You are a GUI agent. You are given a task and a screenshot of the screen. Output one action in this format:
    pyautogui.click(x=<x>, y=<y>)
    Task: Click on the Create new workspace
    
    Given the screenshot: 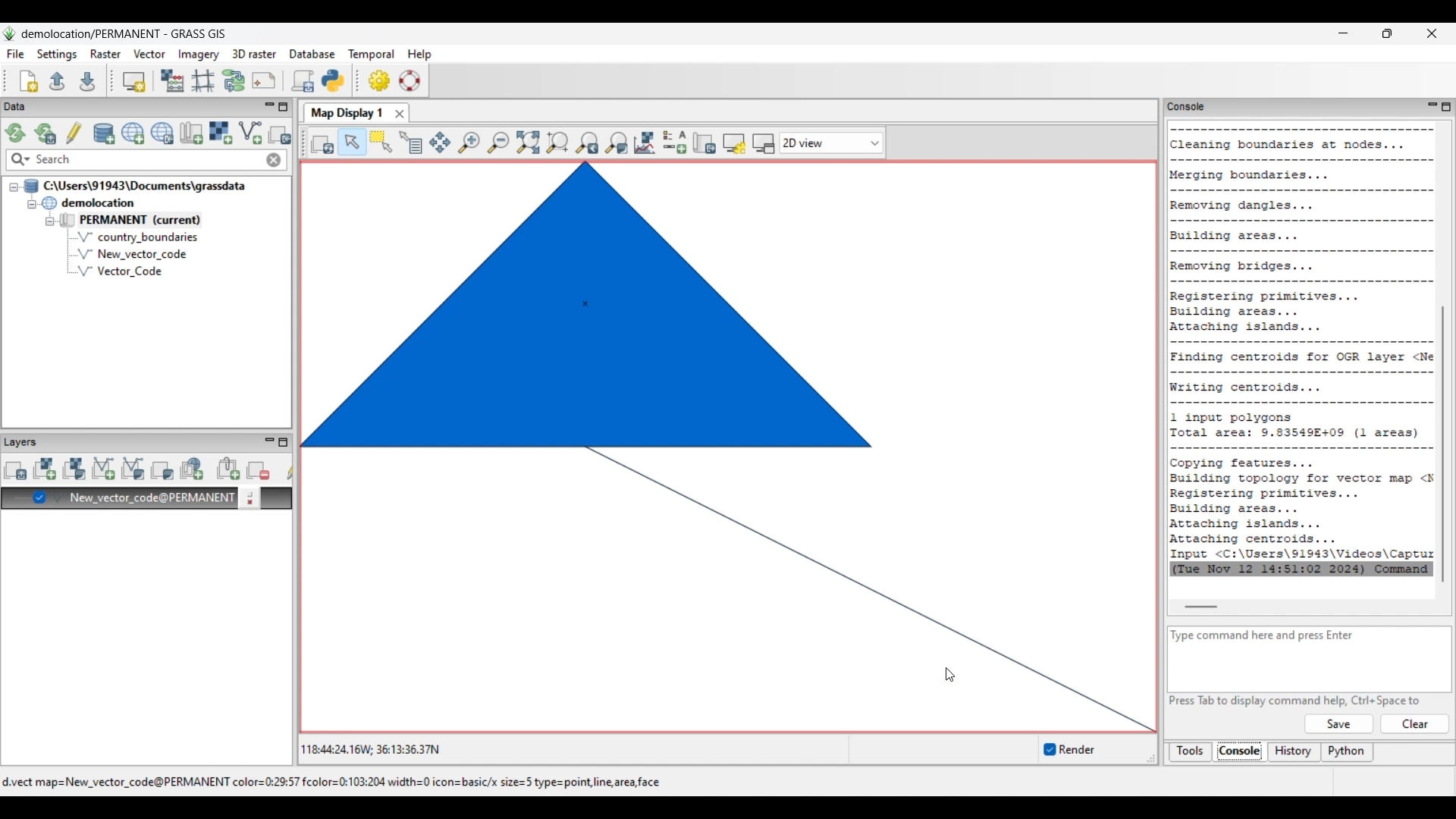 What is the action you would take?
    pyautogui.click(x=30, y=81)
    